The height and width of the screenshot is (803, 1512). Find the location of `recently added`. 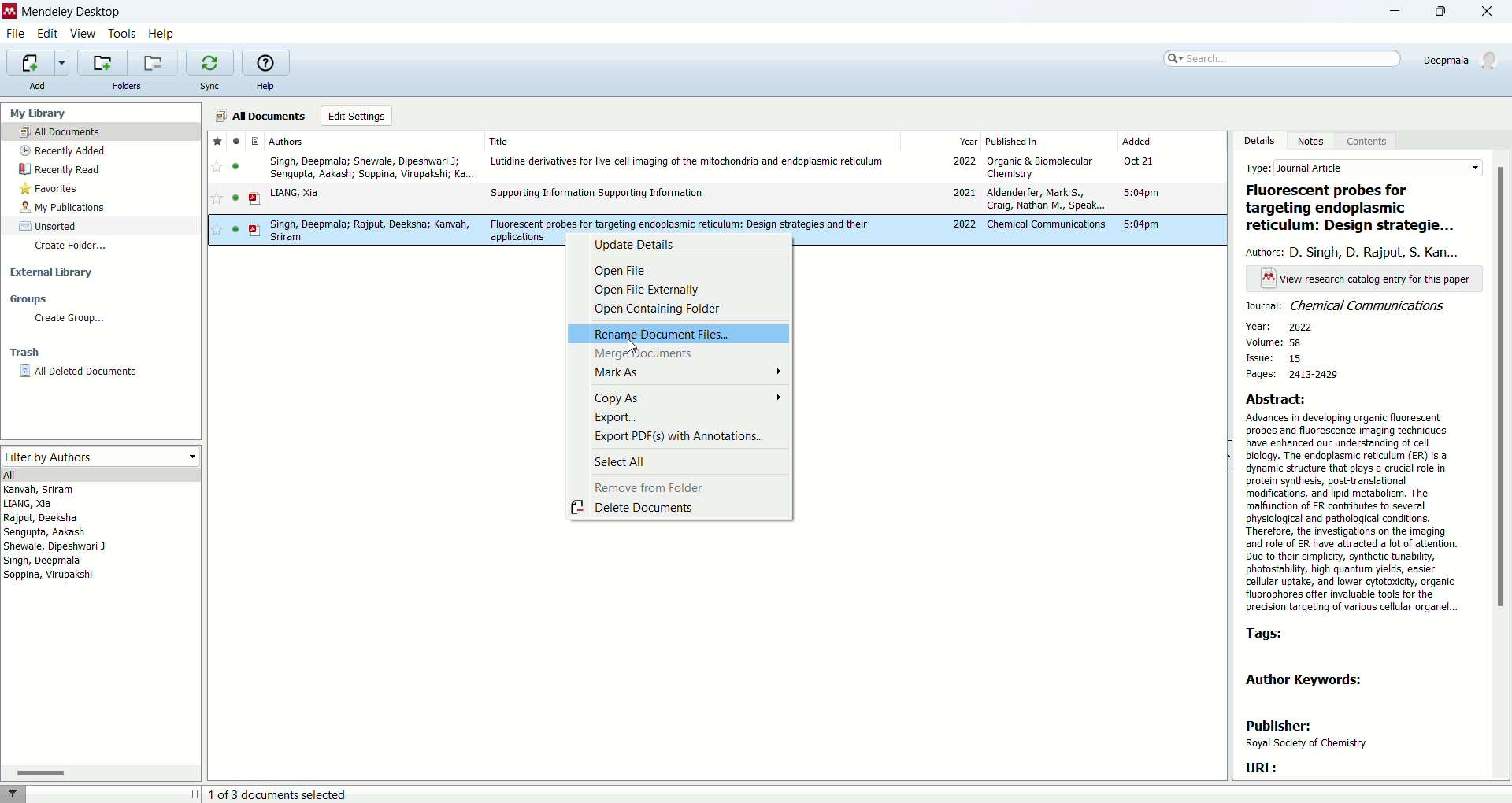

recently added is located at coordinates (65, 150).